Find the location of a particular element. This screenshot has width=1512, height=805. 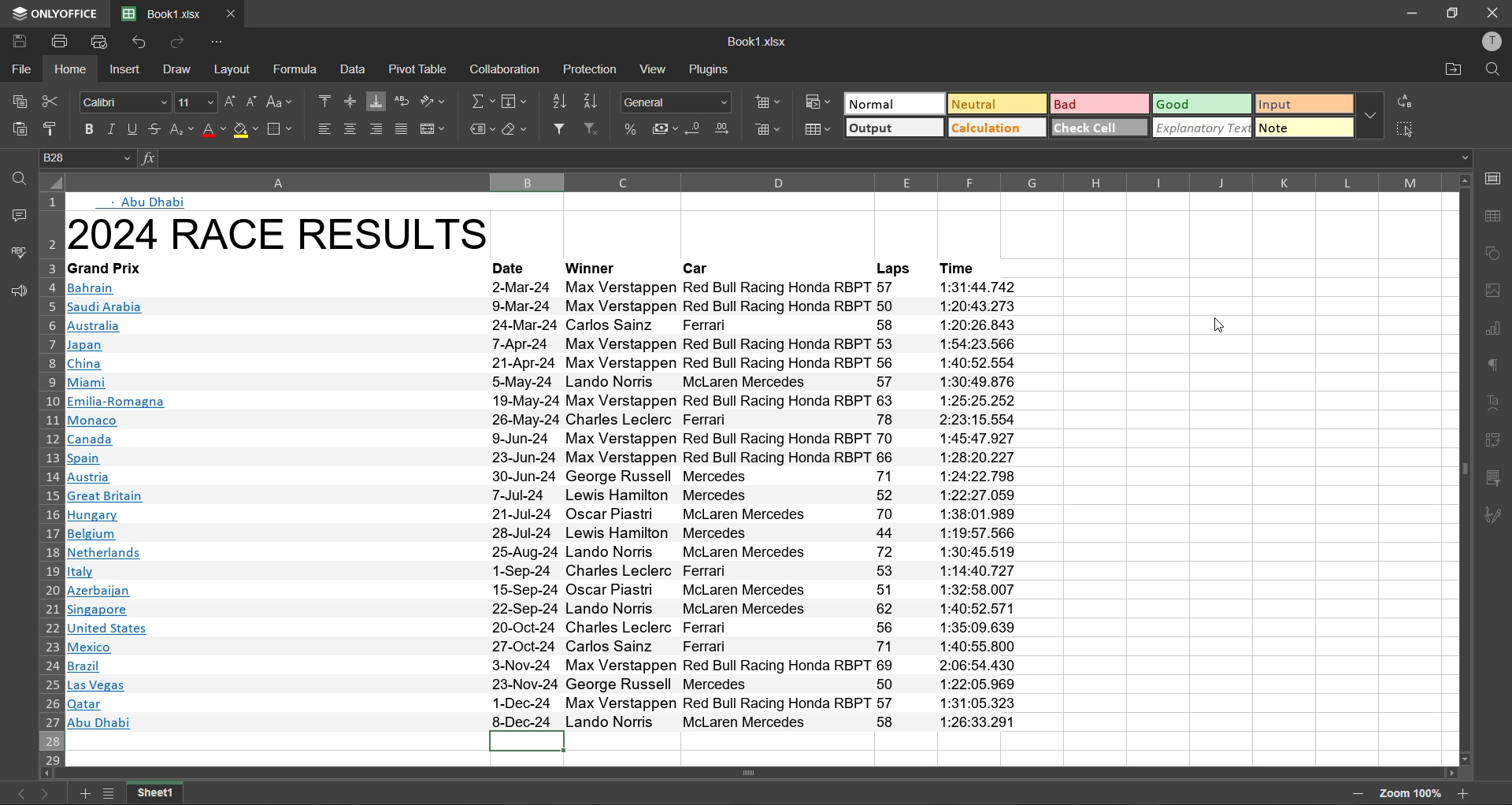

ill Belgium 28-Jul-24 Lewis Hamilton Mercedes 44 1:19:57.566 is located at coordinates (543, 533).